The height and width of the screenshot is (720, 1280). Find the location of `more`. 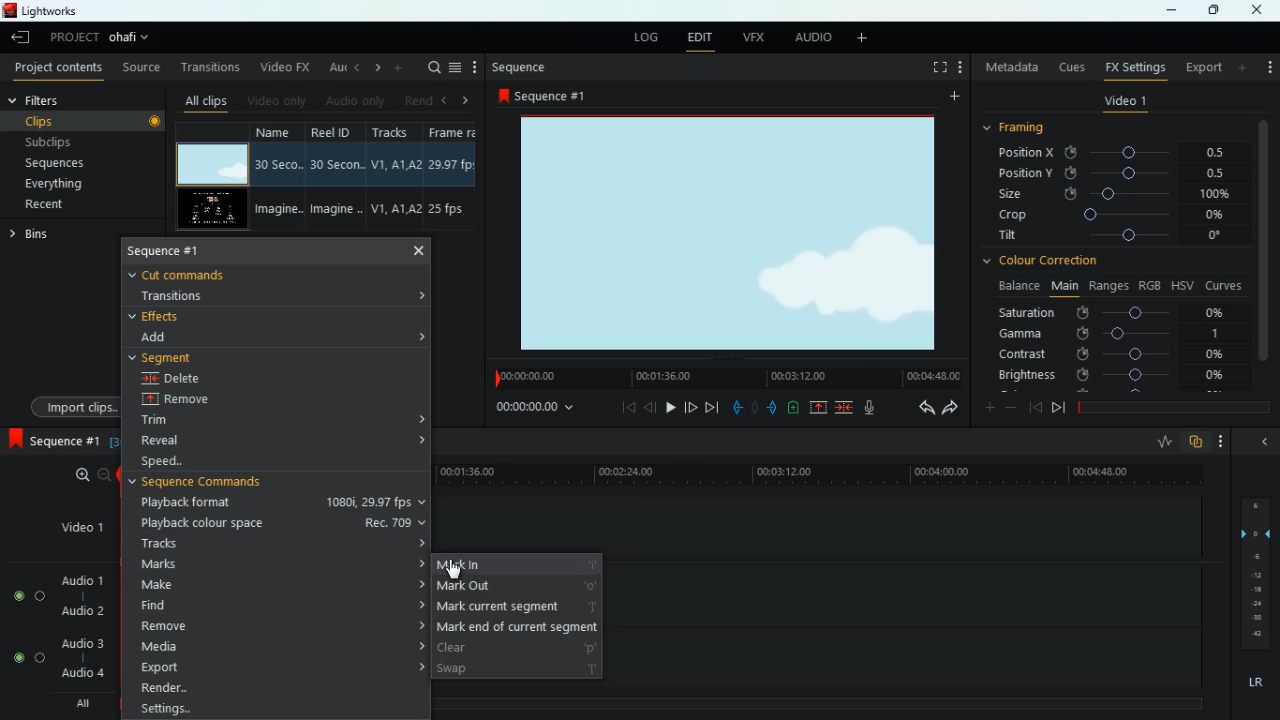

more is located at coordinates (1243, 67).